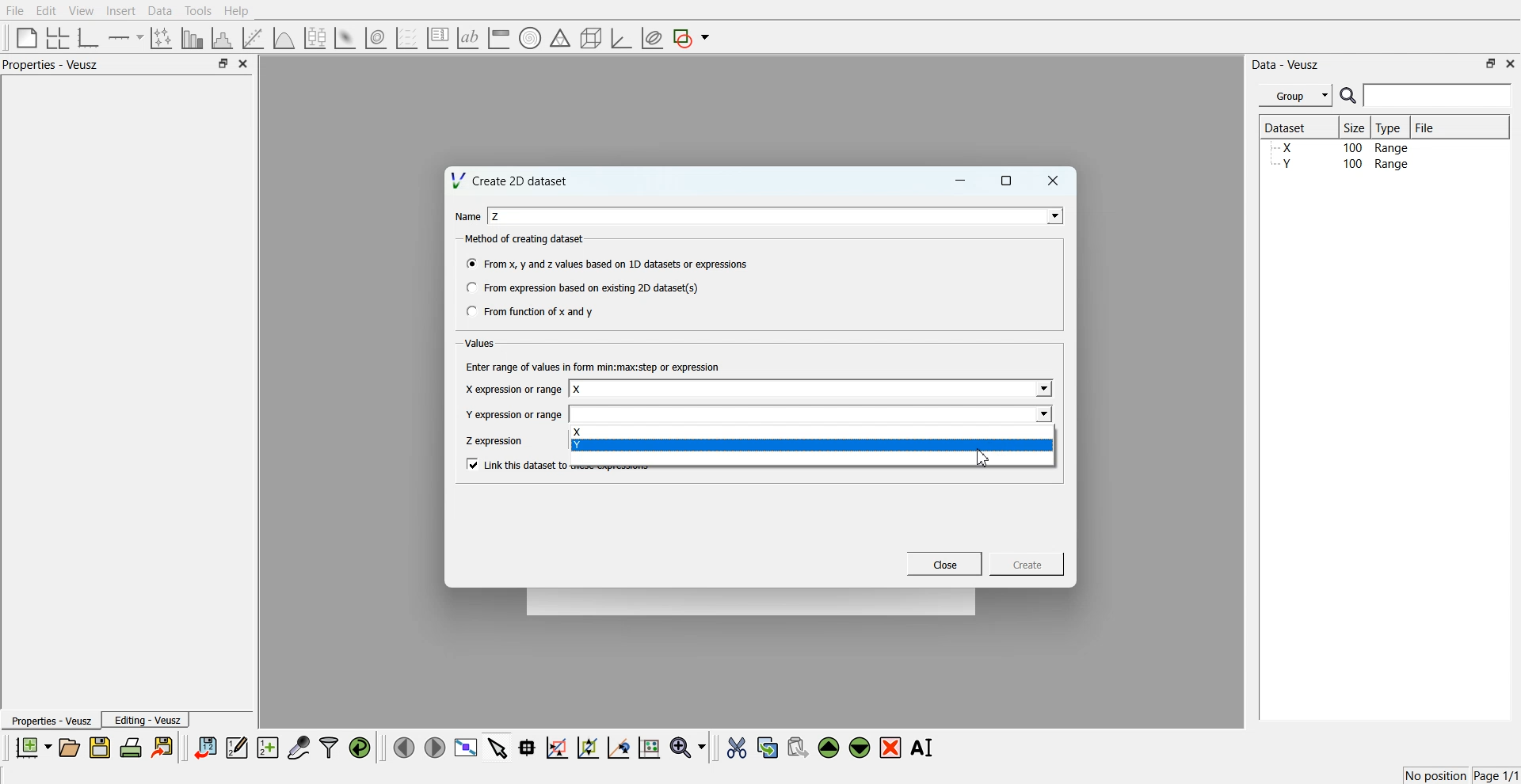 Image resolution: width=1521 pixels, height=784 pixels. I want to click on Zoom function menu, so click(690, 747).